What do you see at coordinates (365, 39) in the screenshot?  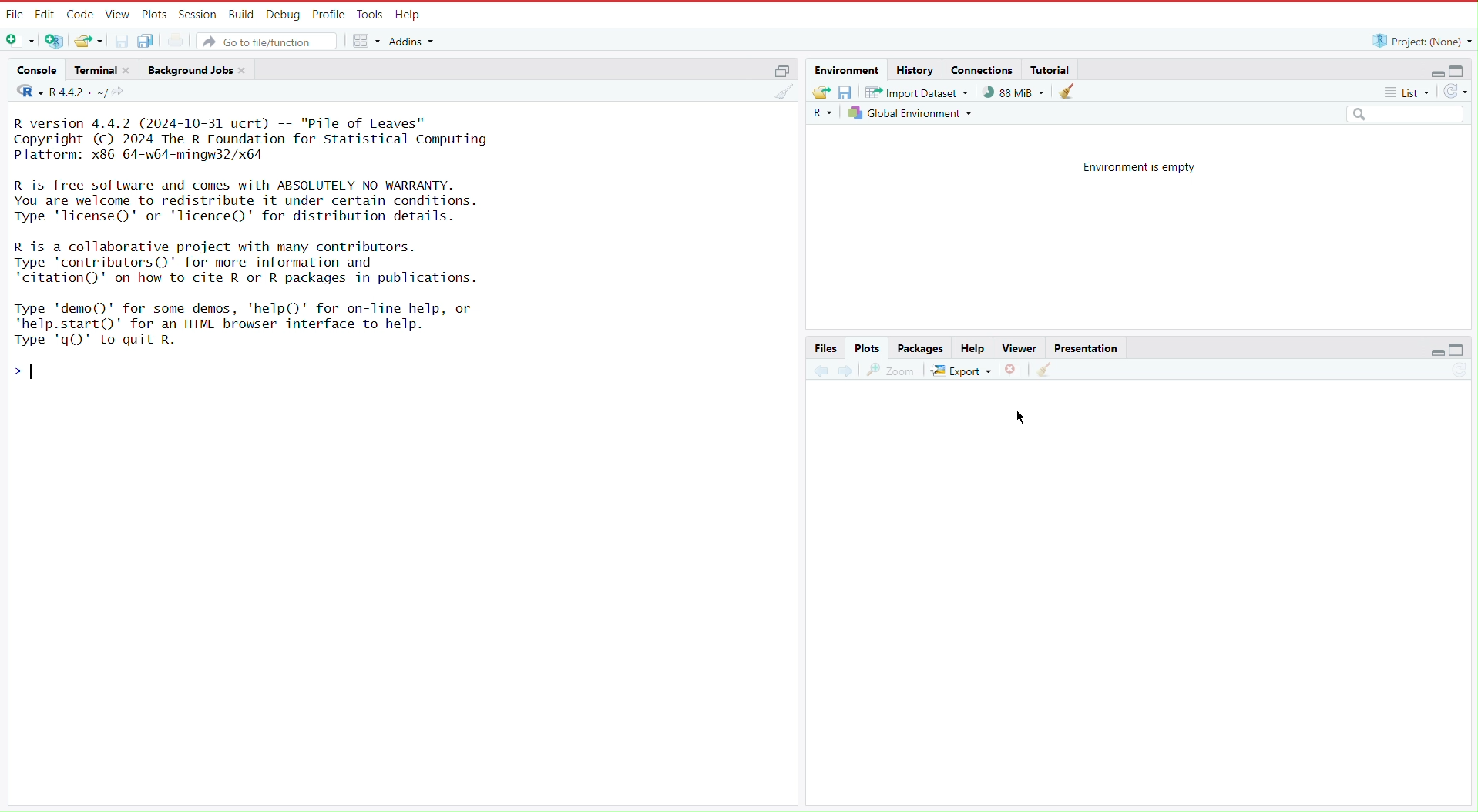 I see `Workspace panes` at bounding box center [365, 39].